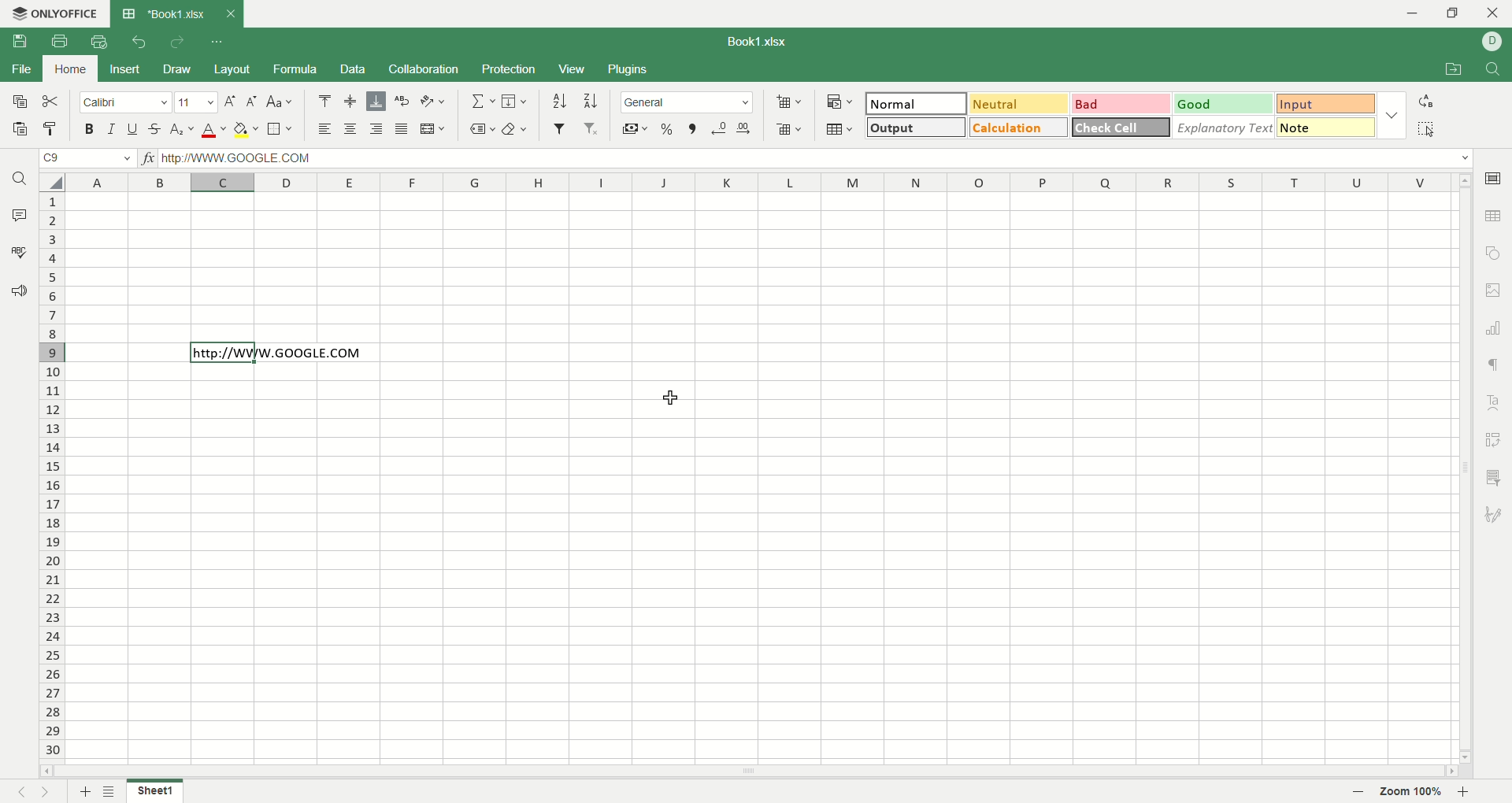 The image size is (1512, 803). What do you see at coordinates (589, 128) in the screenshot?
I see `remove filter` at bounding box center [589, 128].